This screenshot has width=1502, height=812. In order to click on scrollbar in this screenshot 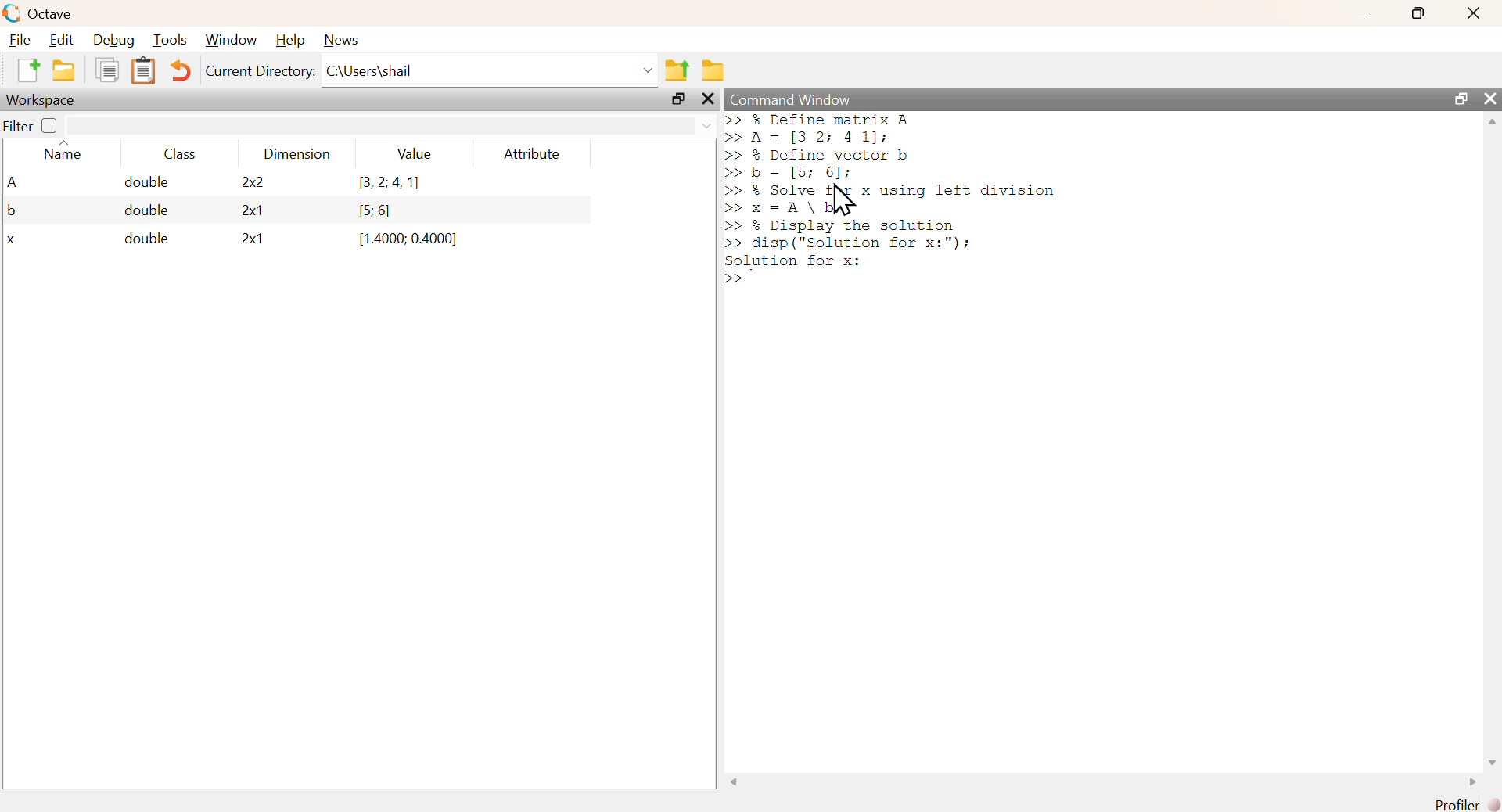, I will do `click(1102, 784)`.